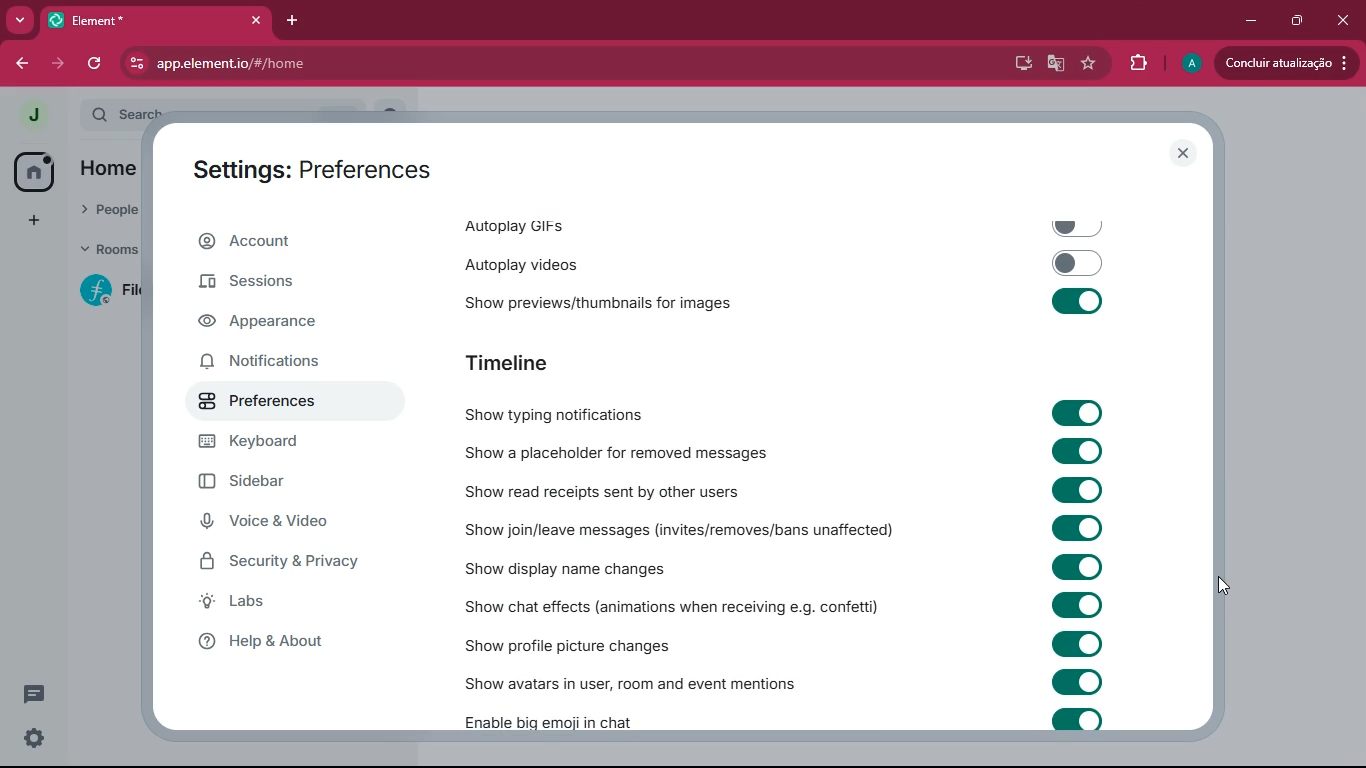  I want to click on Show typing notifications, so click(784, 411).